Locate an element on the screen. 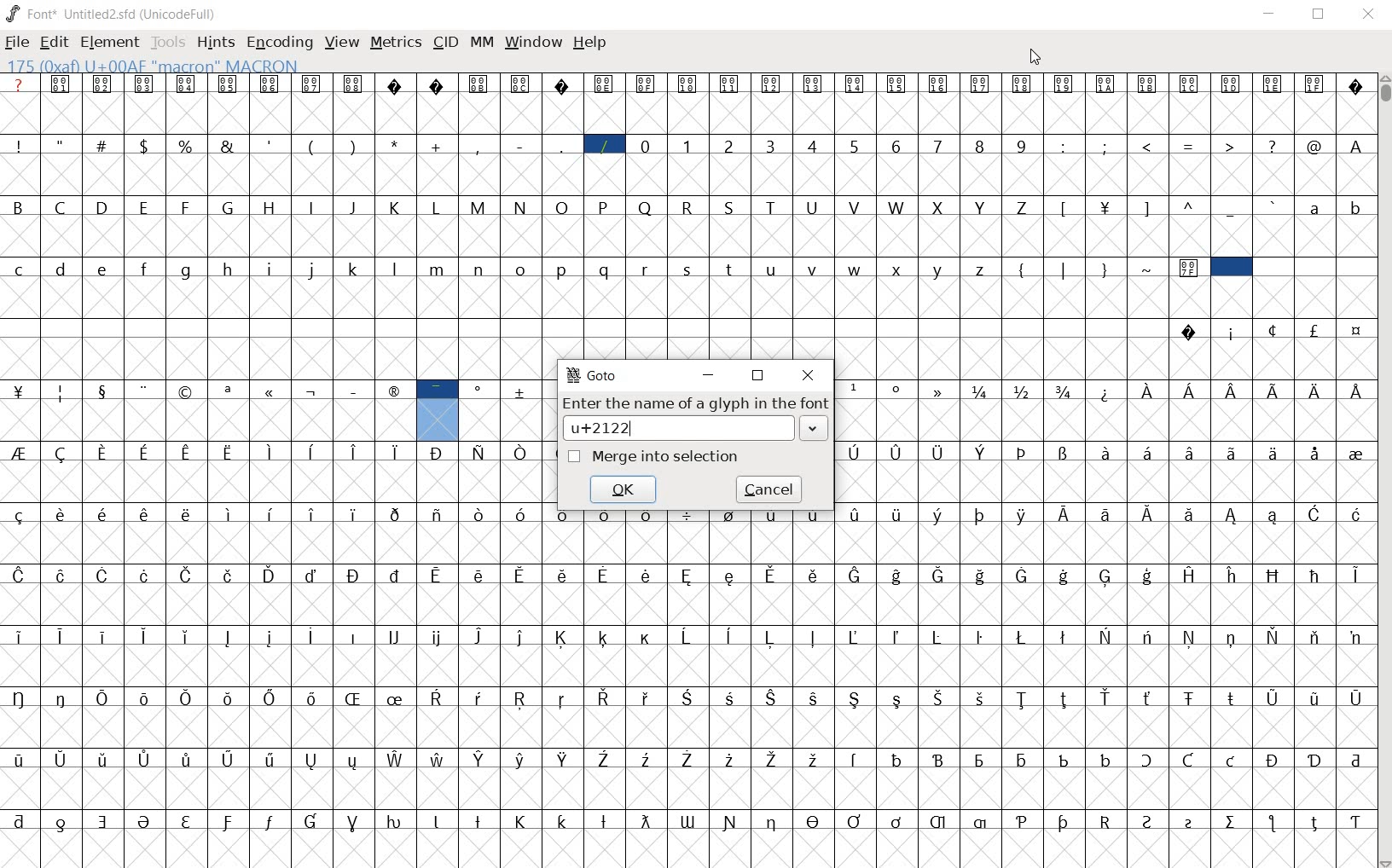 The height and width of the screenshot is (868, 1392). VIEW is located at coordinates (342, 43).